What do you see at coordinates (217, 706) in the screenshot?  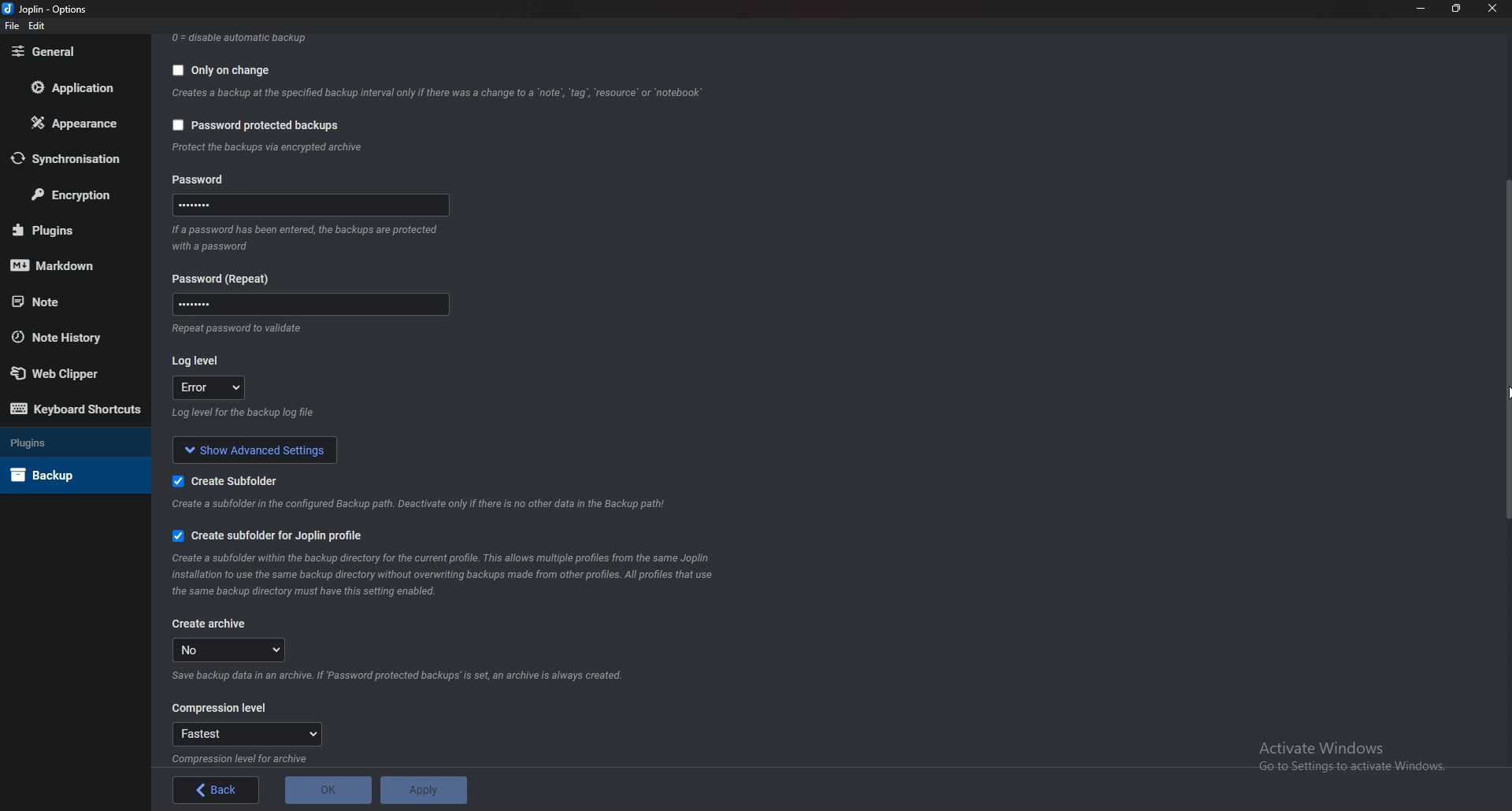 I see `Compression level` at bounding box center [217, 706].